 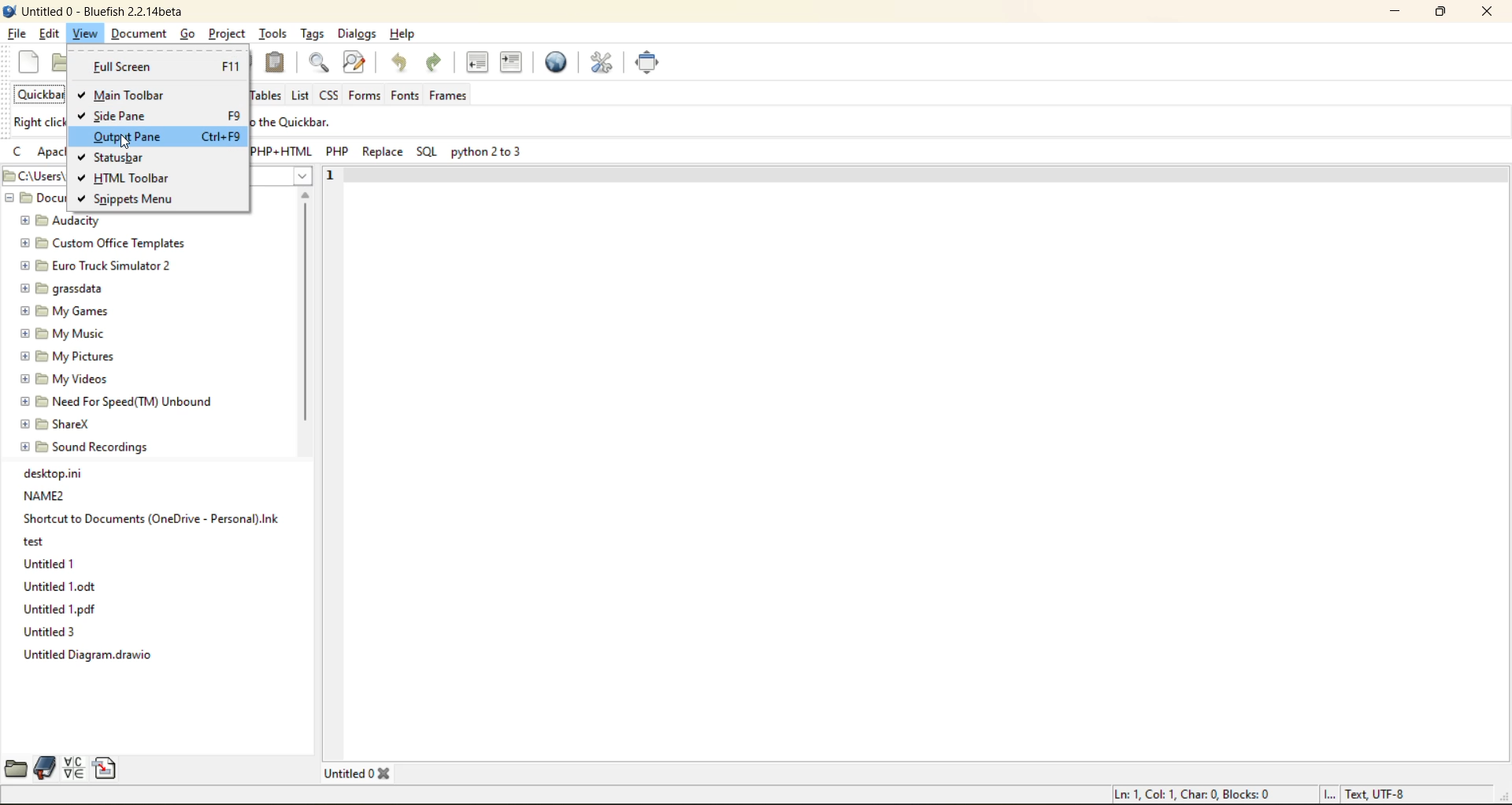 What do you see at coordinates (302, 97) in the screenshot?
I see `list` at bounding box center [302, 97].